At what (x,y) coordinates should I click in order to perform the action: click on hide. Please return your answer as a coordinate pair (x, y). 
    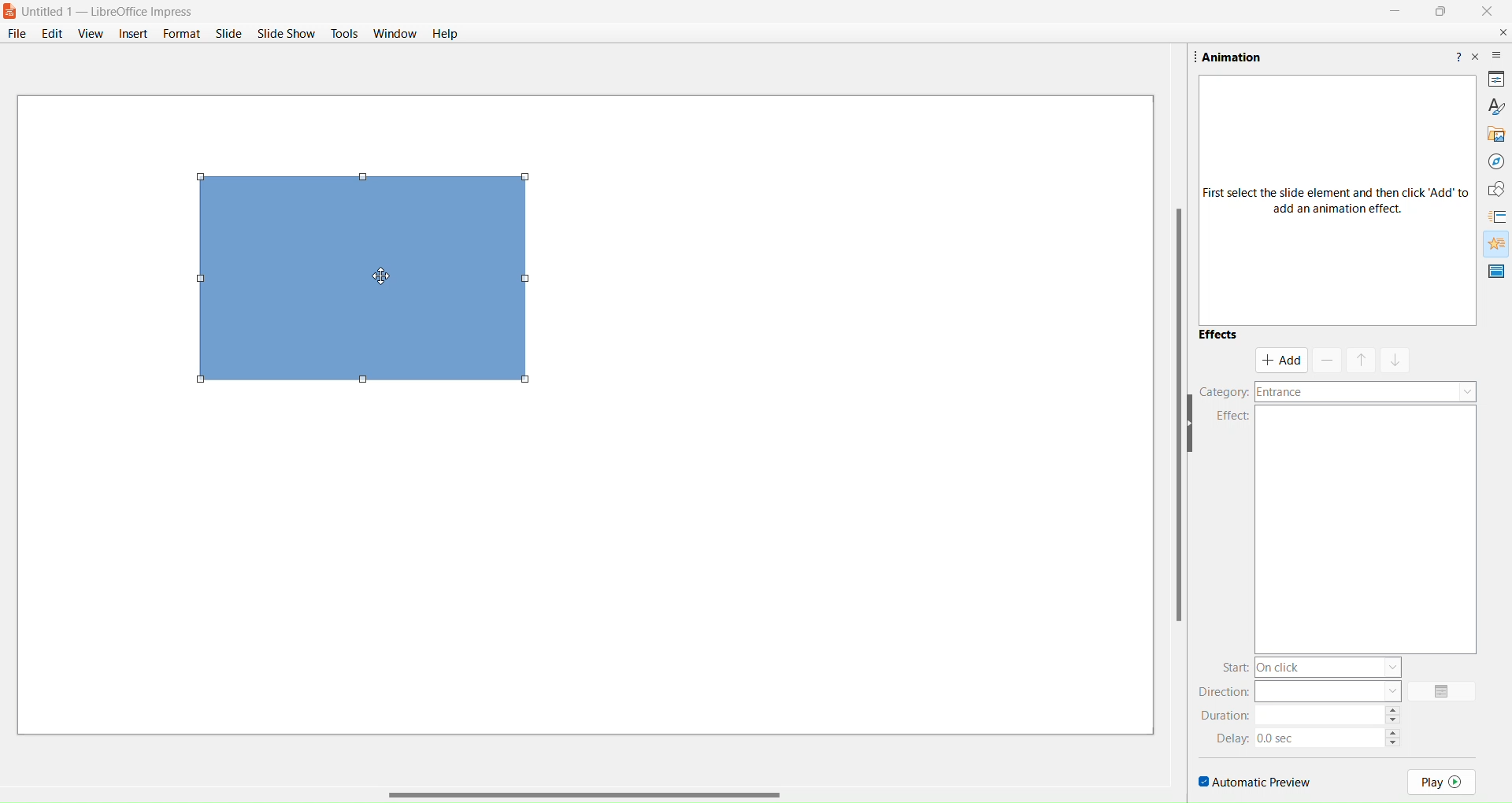
    Looking at the image, I should click on (1197, 426).